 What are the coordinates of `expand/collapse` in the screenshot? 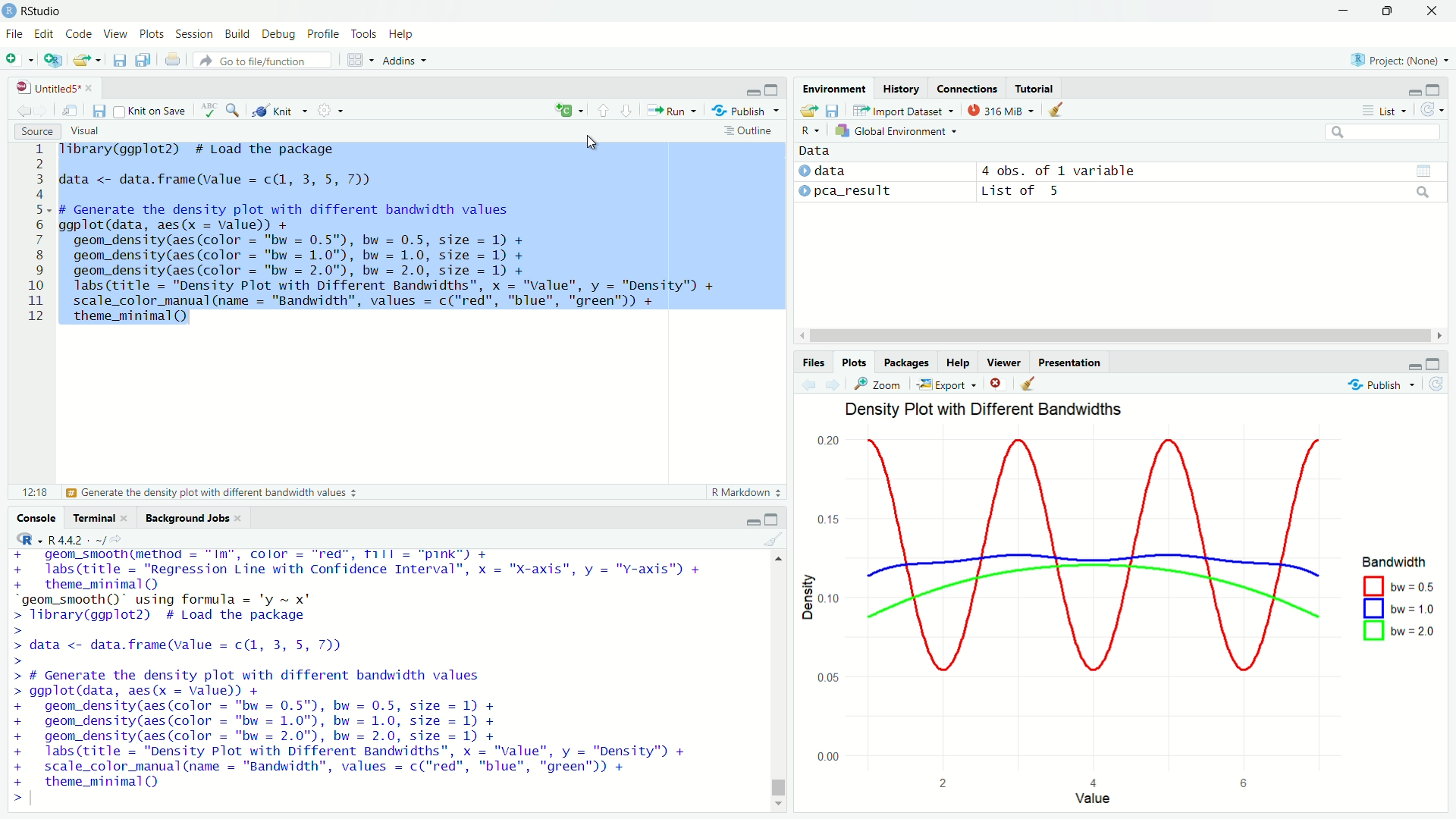 It's located at (804, 190).